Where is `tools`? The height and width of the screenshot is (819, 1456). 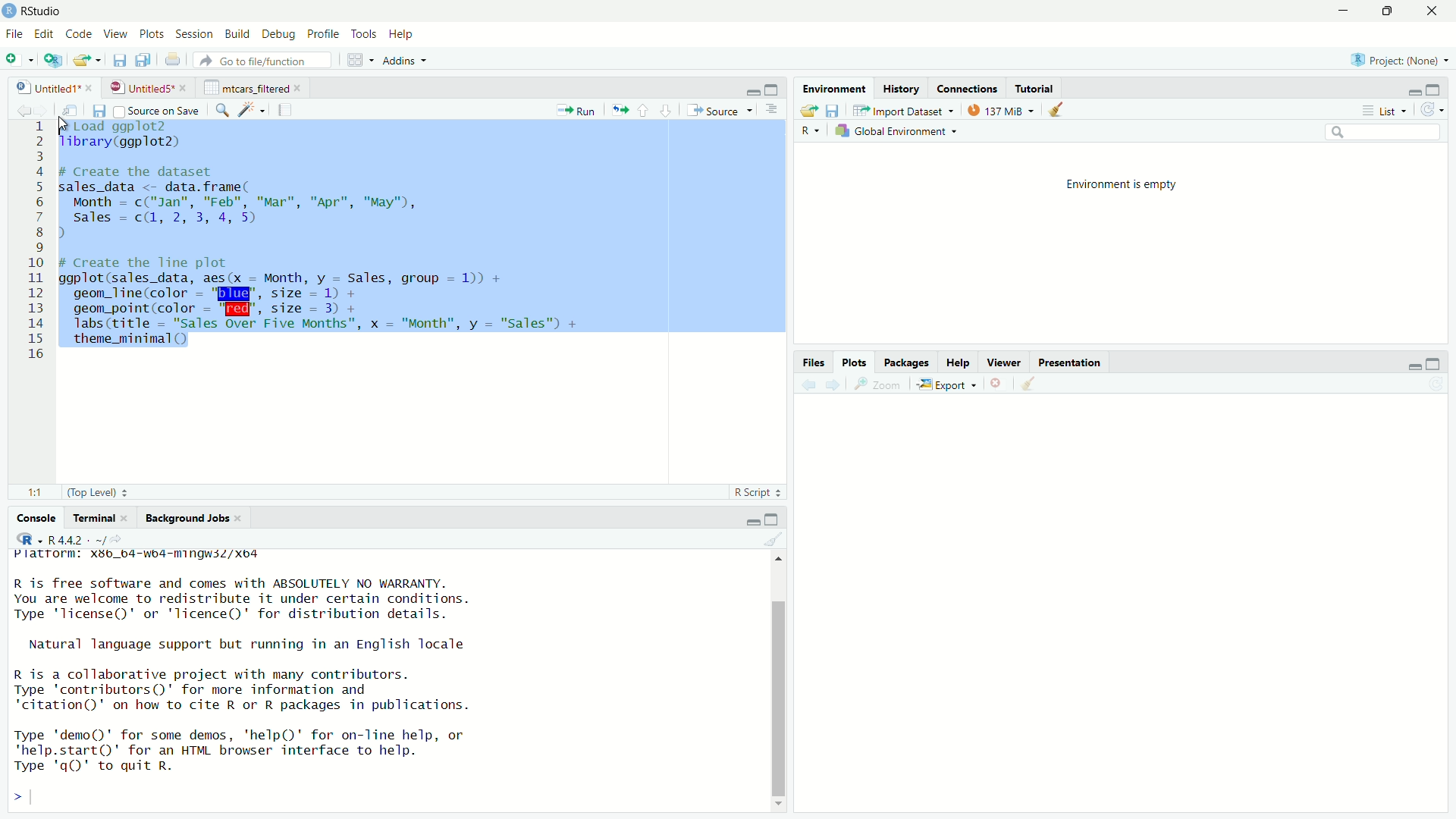 tools is located at coordinates (366, 35).